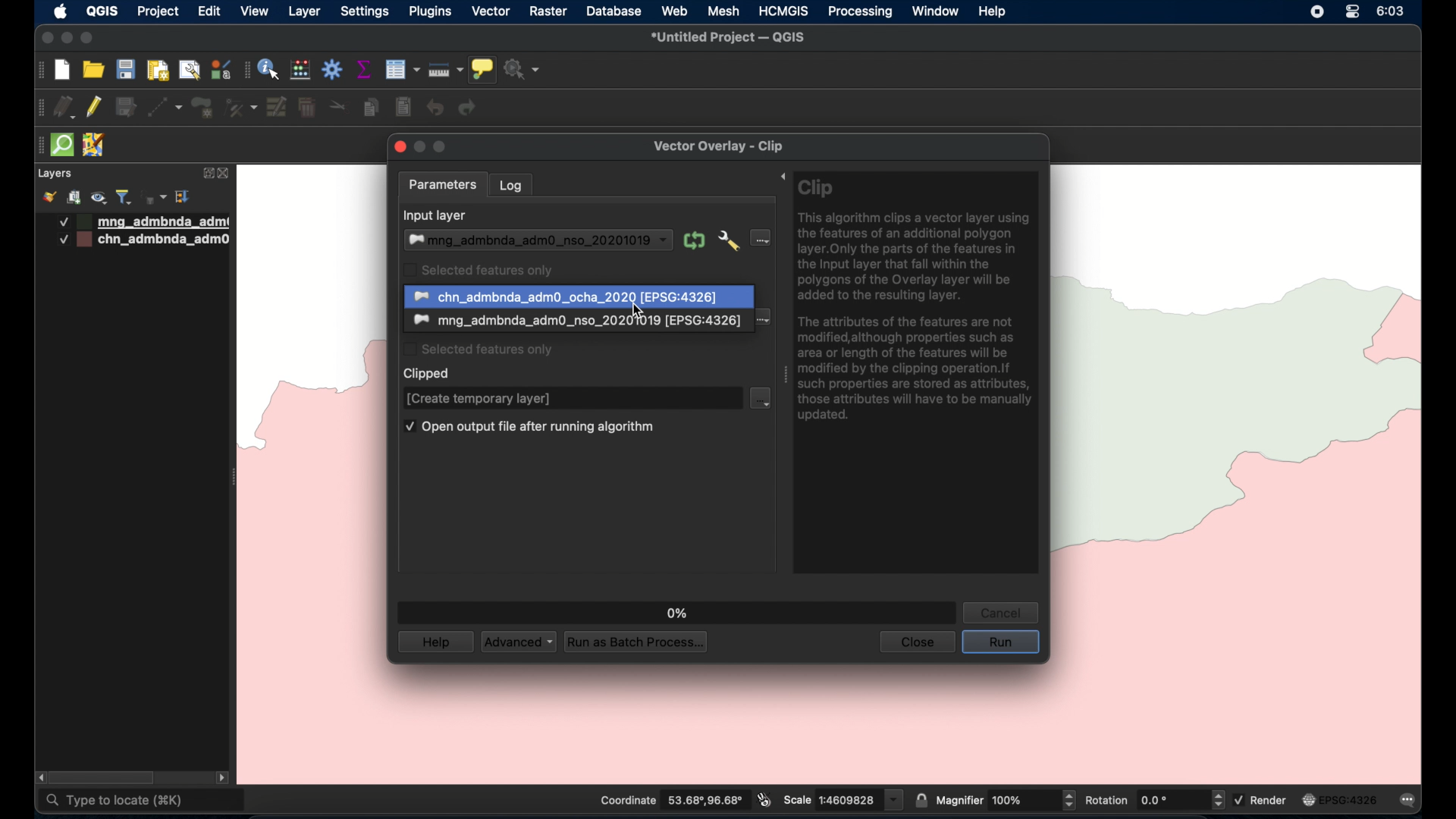 The width and height of the screenshot is (1456, 819). What do you see at coordinates (761, 399) in the screenshot?
I see `clipped dropdown menu` at bounding box center [761, 399].